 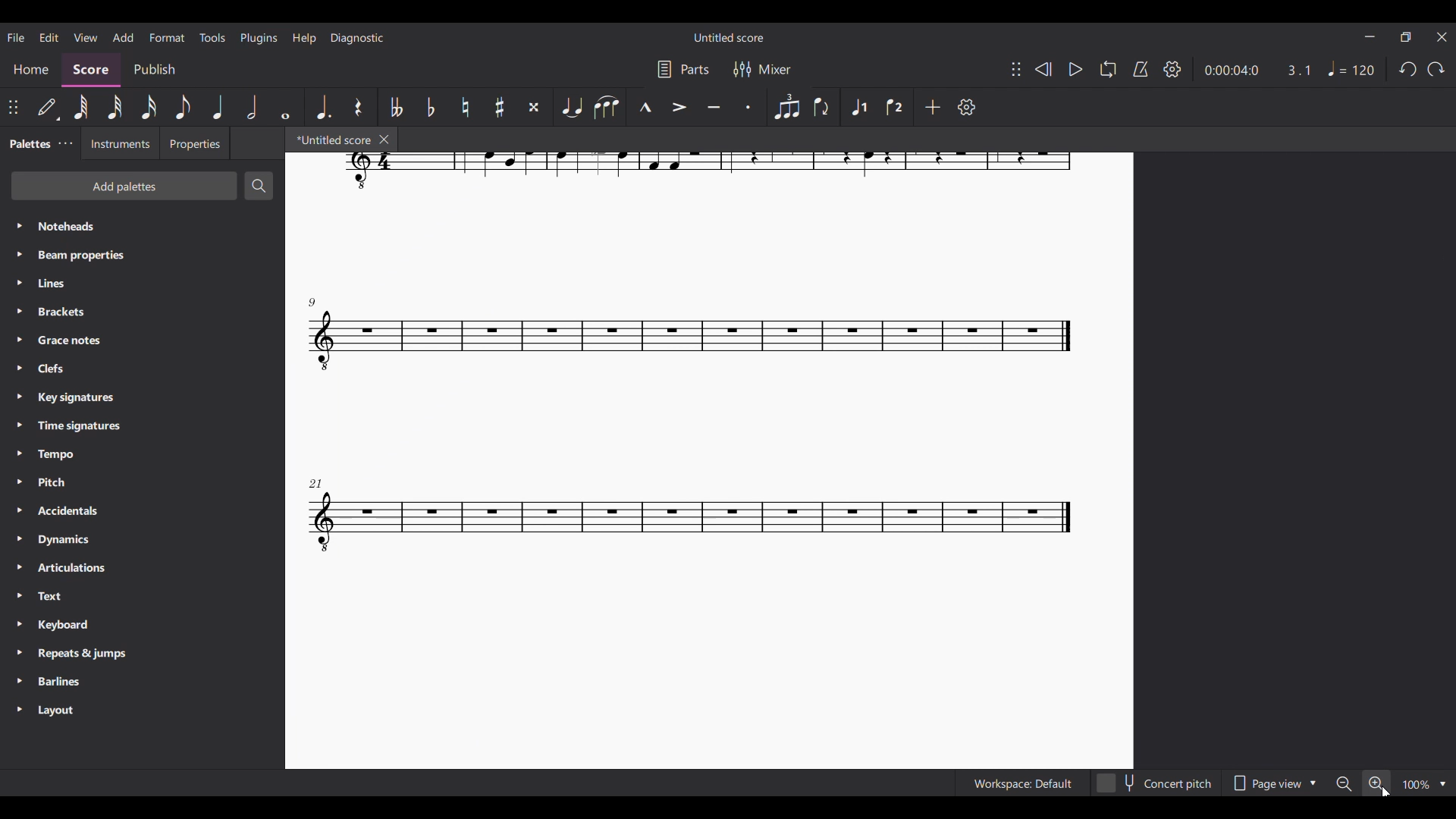 I want to click on Properties, so click(x=196, y=143).